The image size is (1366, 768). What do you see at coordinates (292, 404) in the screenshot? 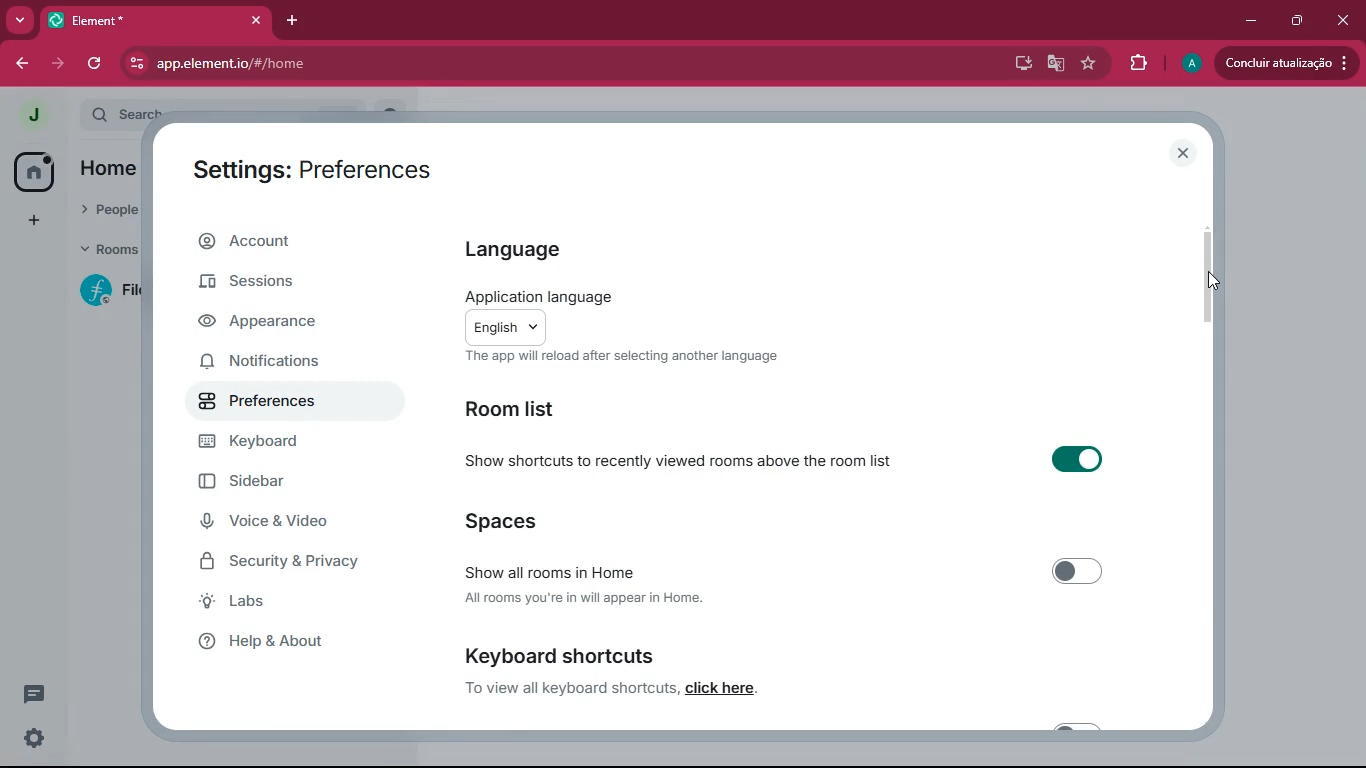
I see `preferences` at bounding box center [292, 404].